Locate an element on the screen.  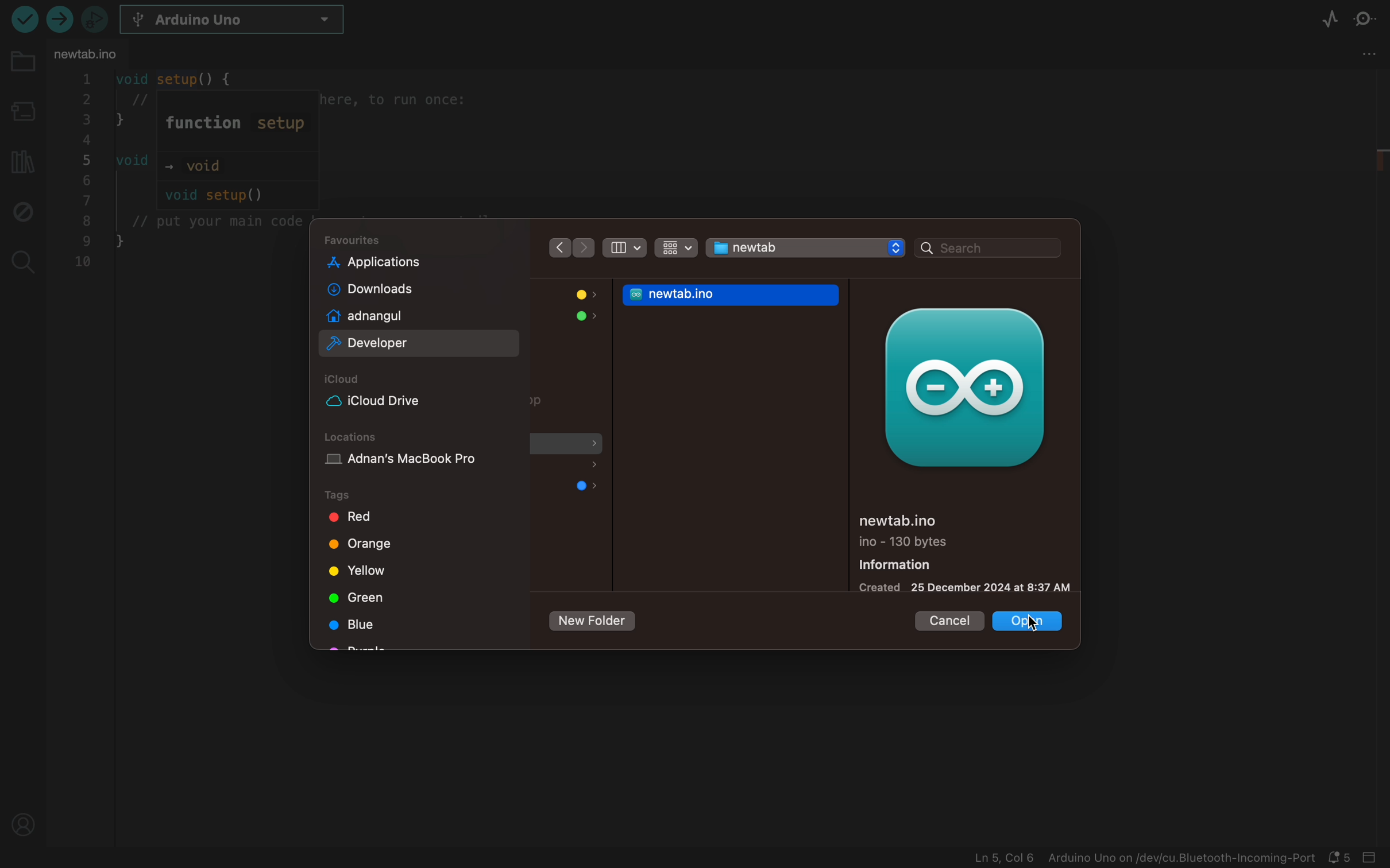
cursor is located at coordinates (1028, 618).